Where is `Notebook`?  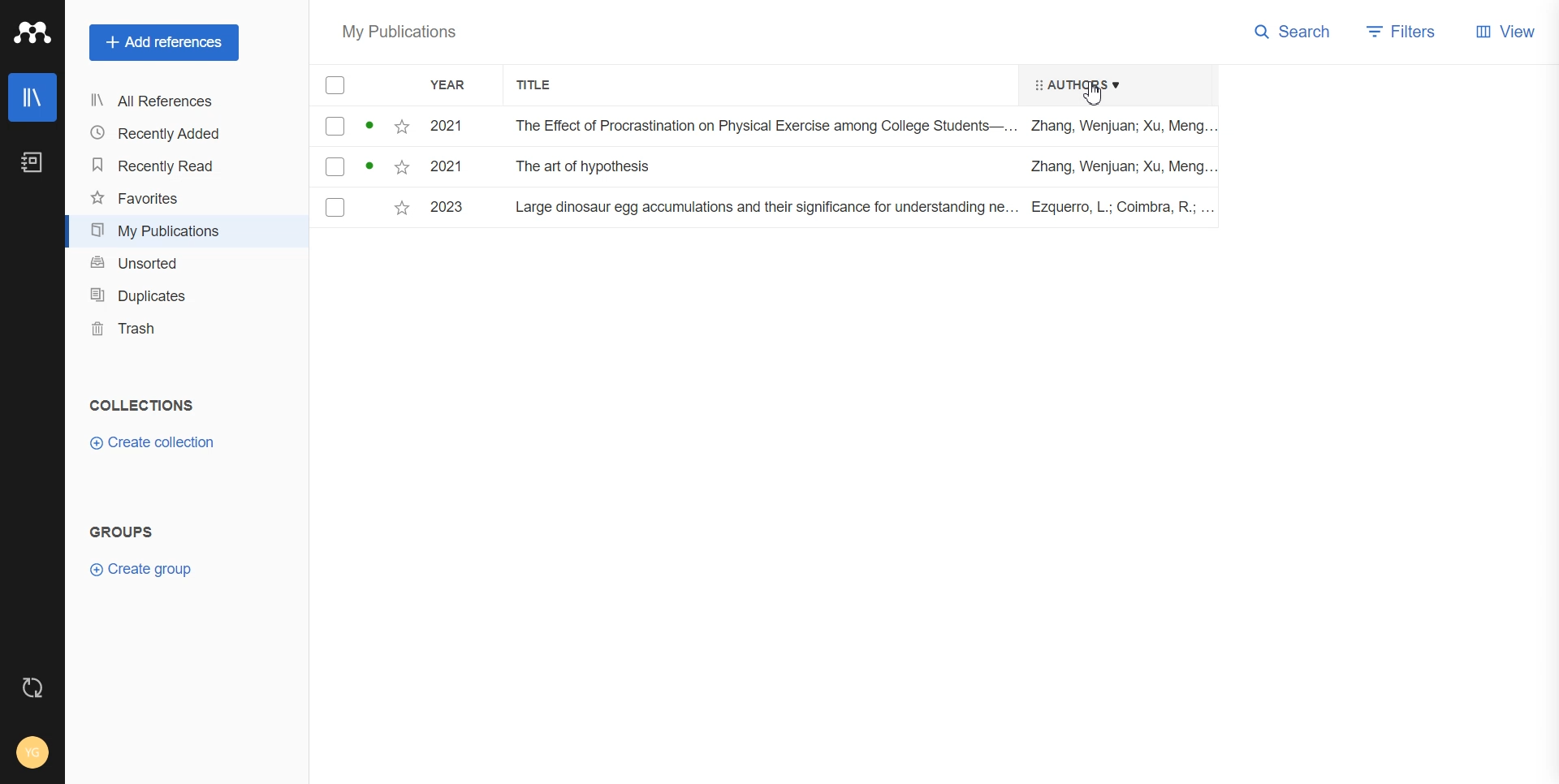
Notebook is located at coordinates (33, 162).